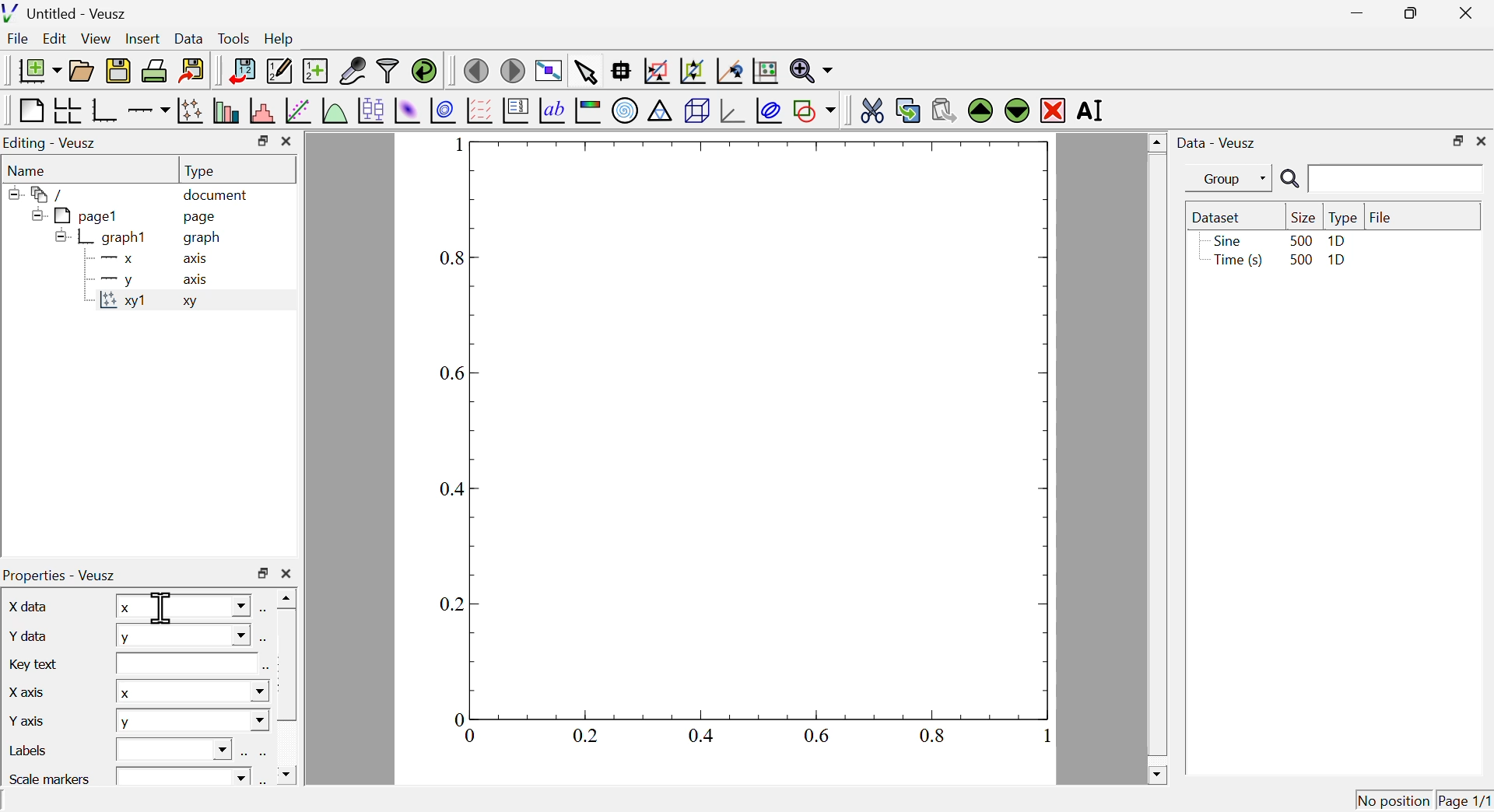  I want to click on scale markers, so click(53, 777).